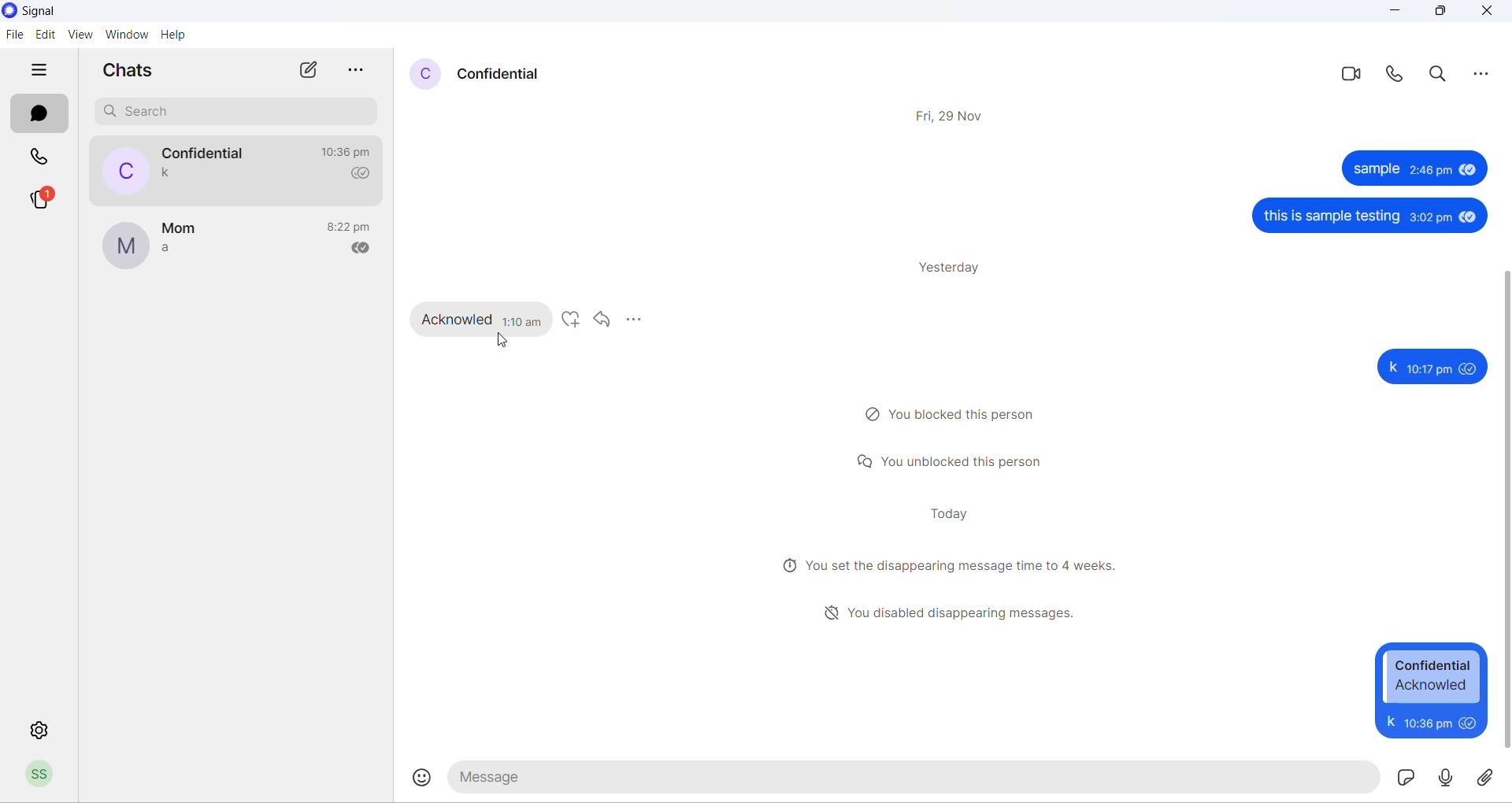  Describe the element at coordinates (525, 320) in the screenshot. I see `1:10 pm` at that location.